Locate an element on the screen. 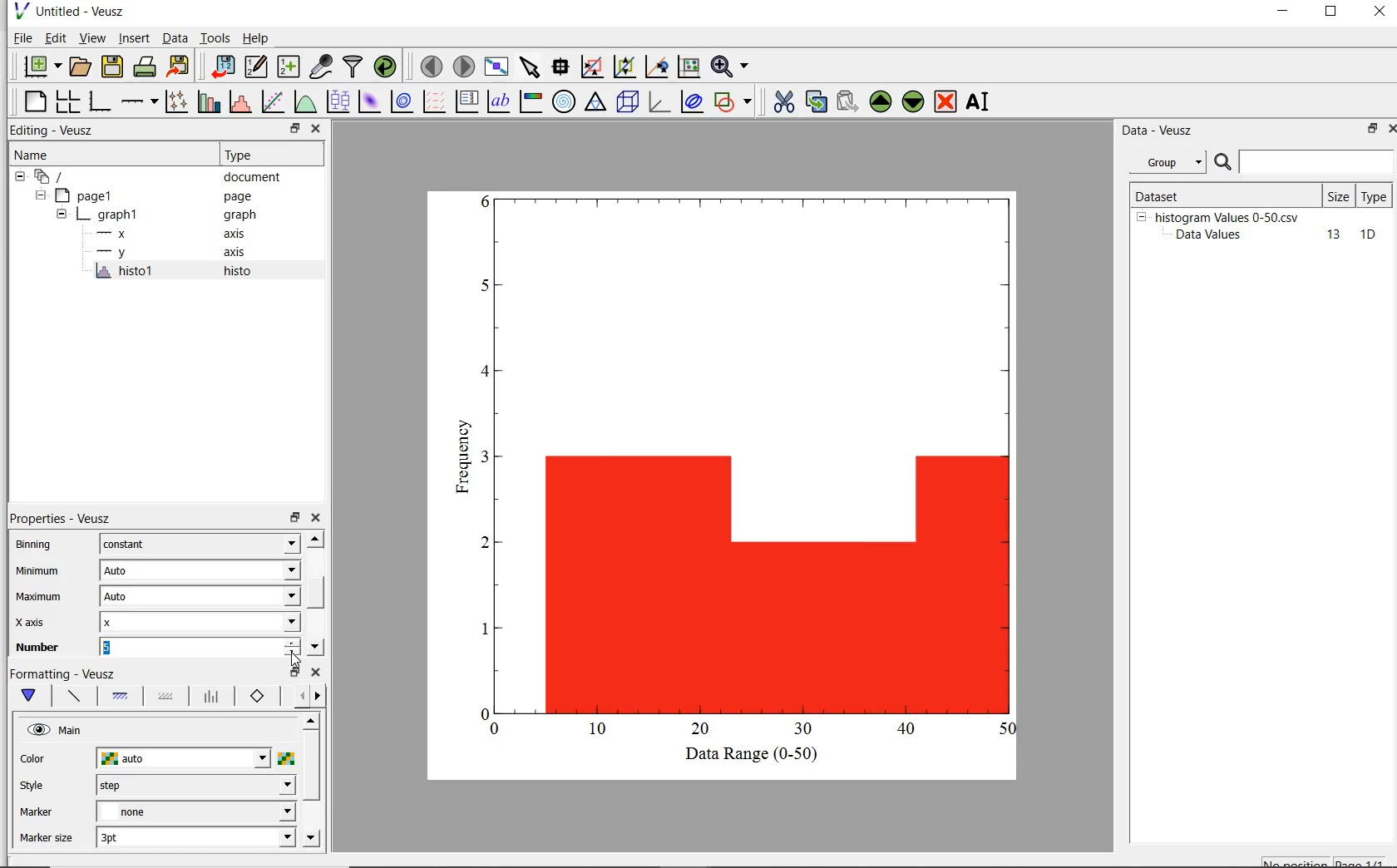  move up the selected widget is located at coordinates (879, 102).